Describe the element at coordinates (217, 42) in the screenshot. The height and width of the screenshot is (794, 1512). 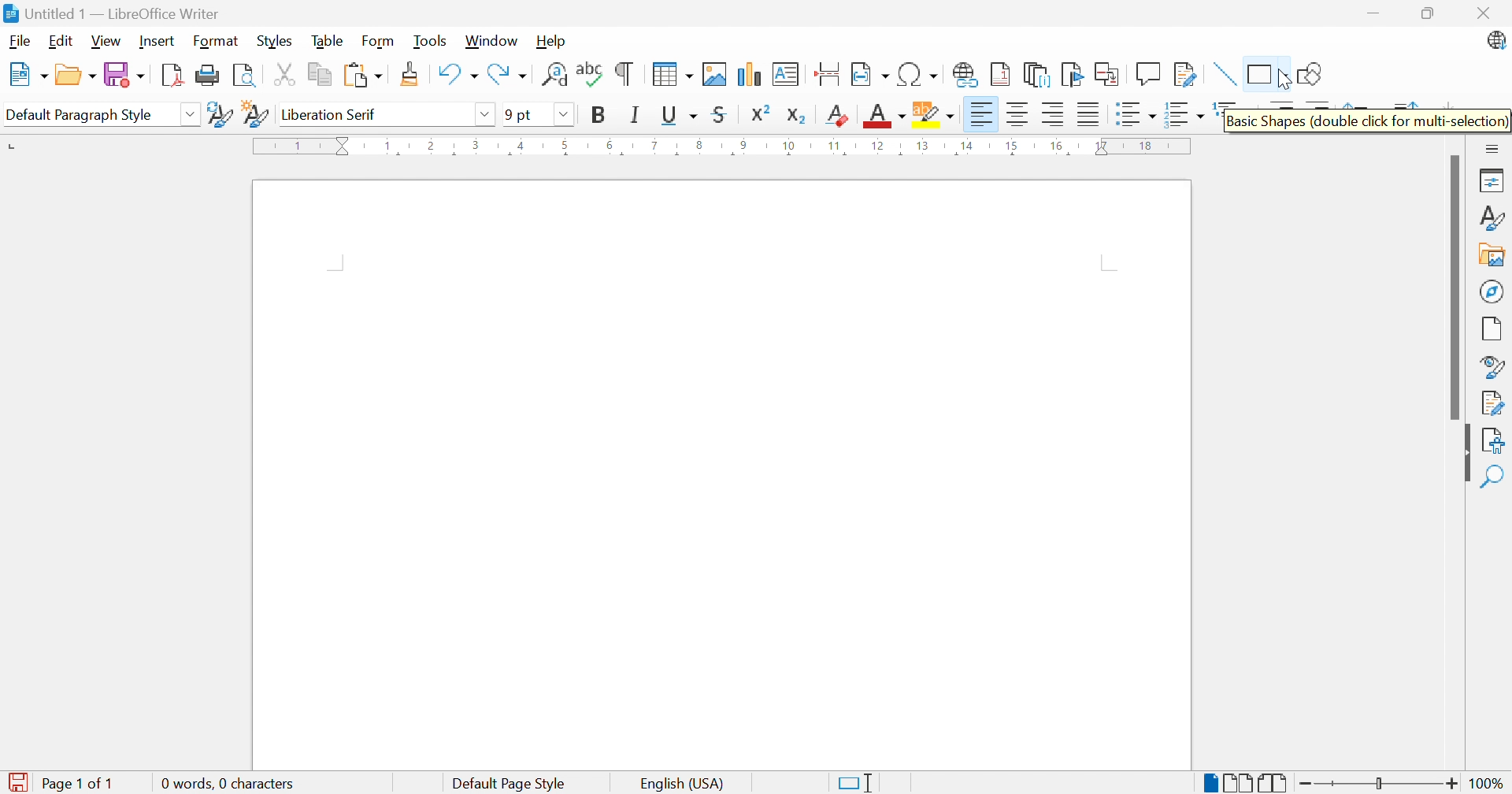
I see `Format` at that location.